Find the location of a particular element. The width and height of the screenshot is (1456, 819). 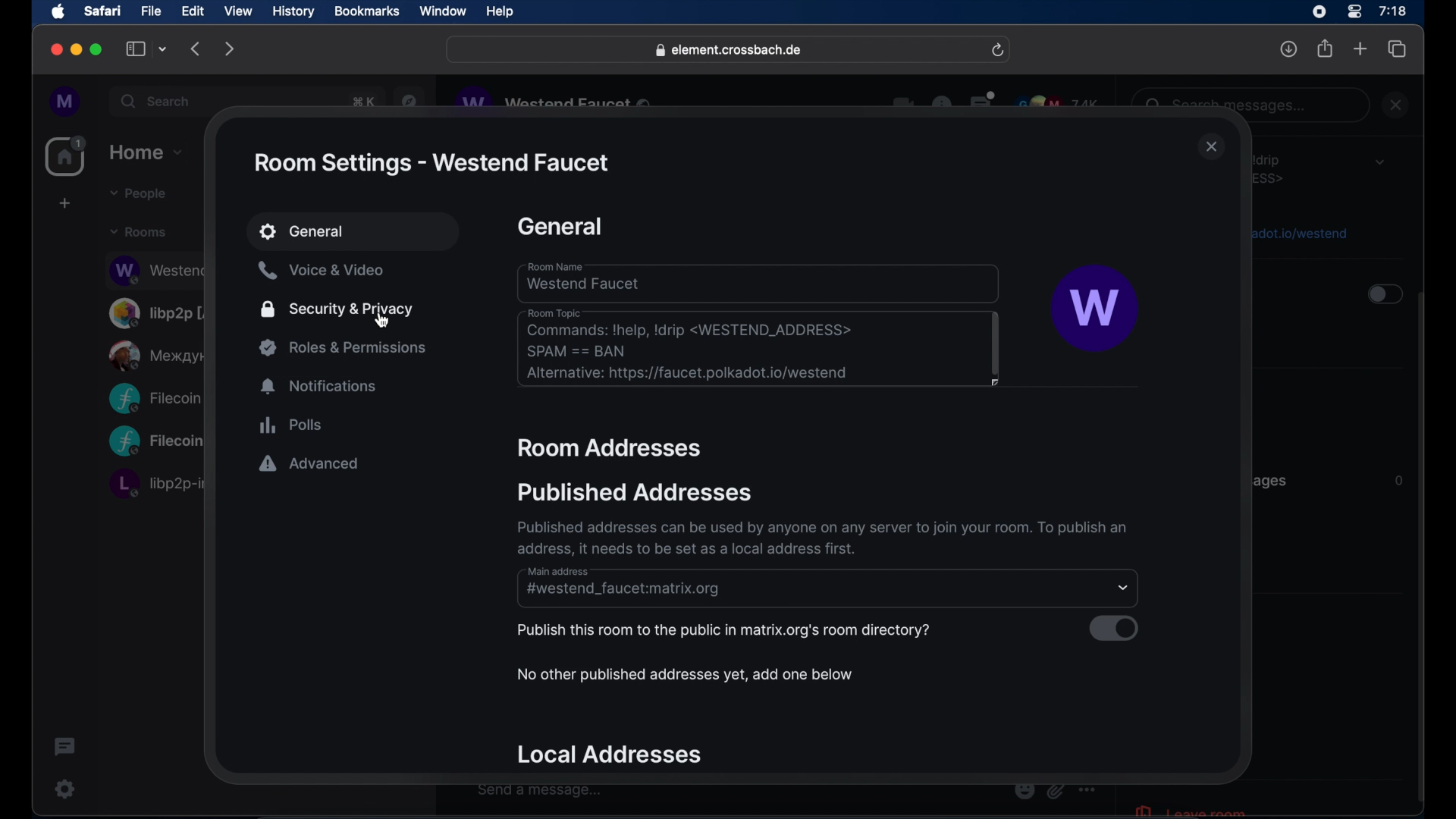

minimize is located at coordinates (77, 49).